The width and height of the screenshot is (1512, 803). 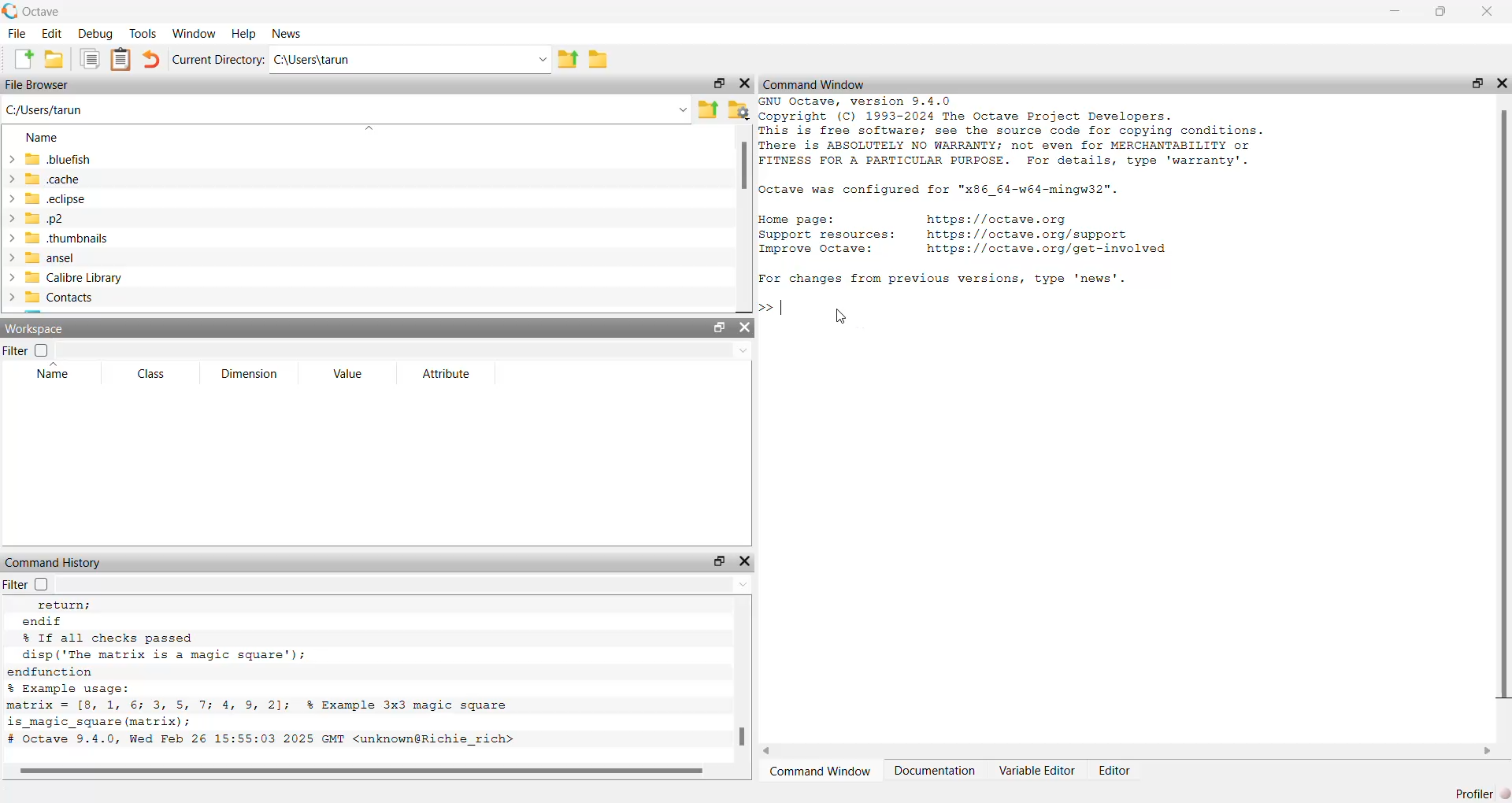 I want to click on dropdown, so click(x=743, y=583).